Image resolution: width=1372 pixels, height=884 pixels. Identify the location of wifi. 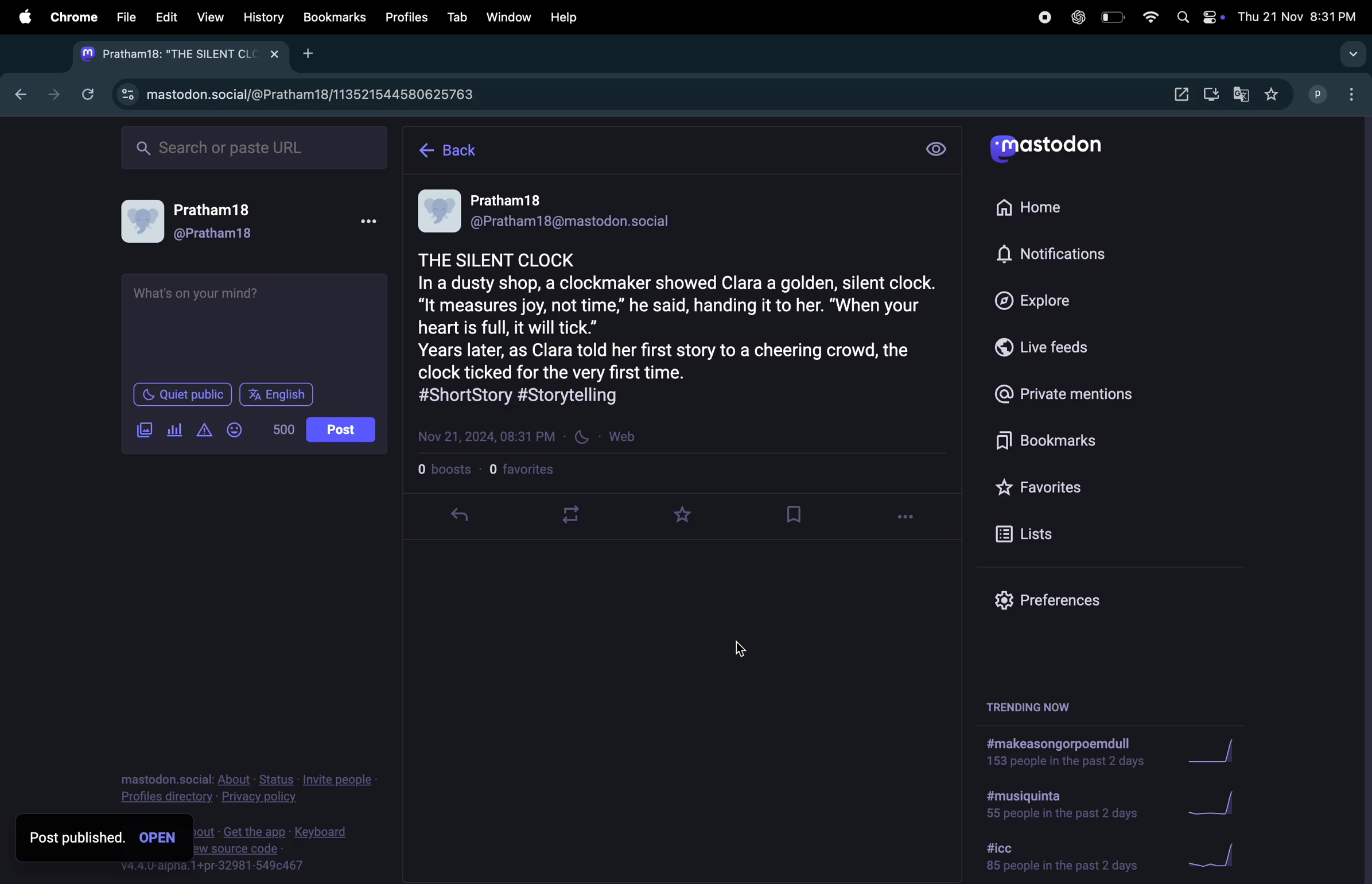
(1152, 20).